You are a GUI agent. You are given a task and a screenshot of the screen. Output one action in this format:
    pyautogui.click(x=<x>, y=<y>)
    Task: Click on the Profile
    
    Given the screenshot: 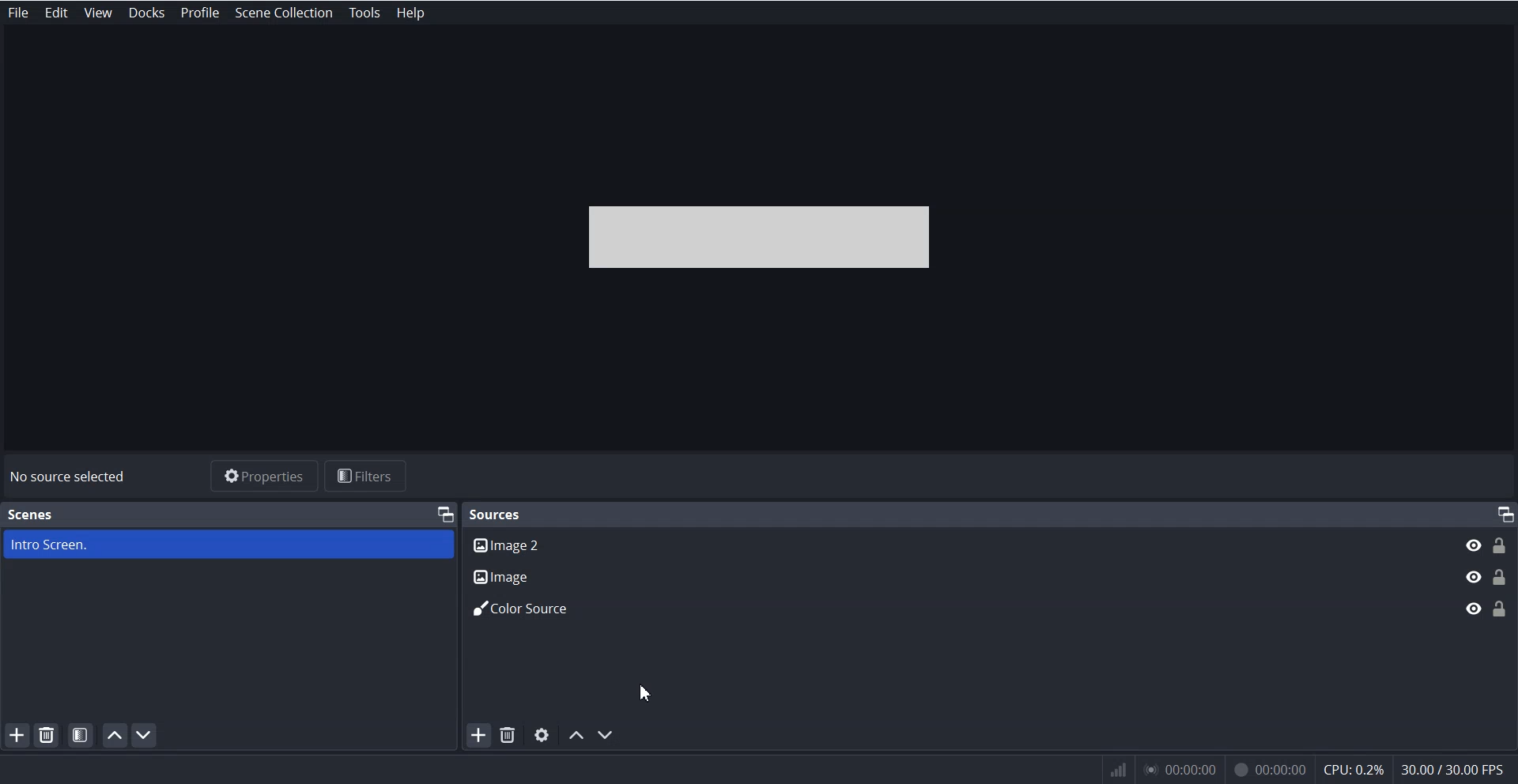 What is the action you would take?
    pyautogui.click(x=200, y=13)
    